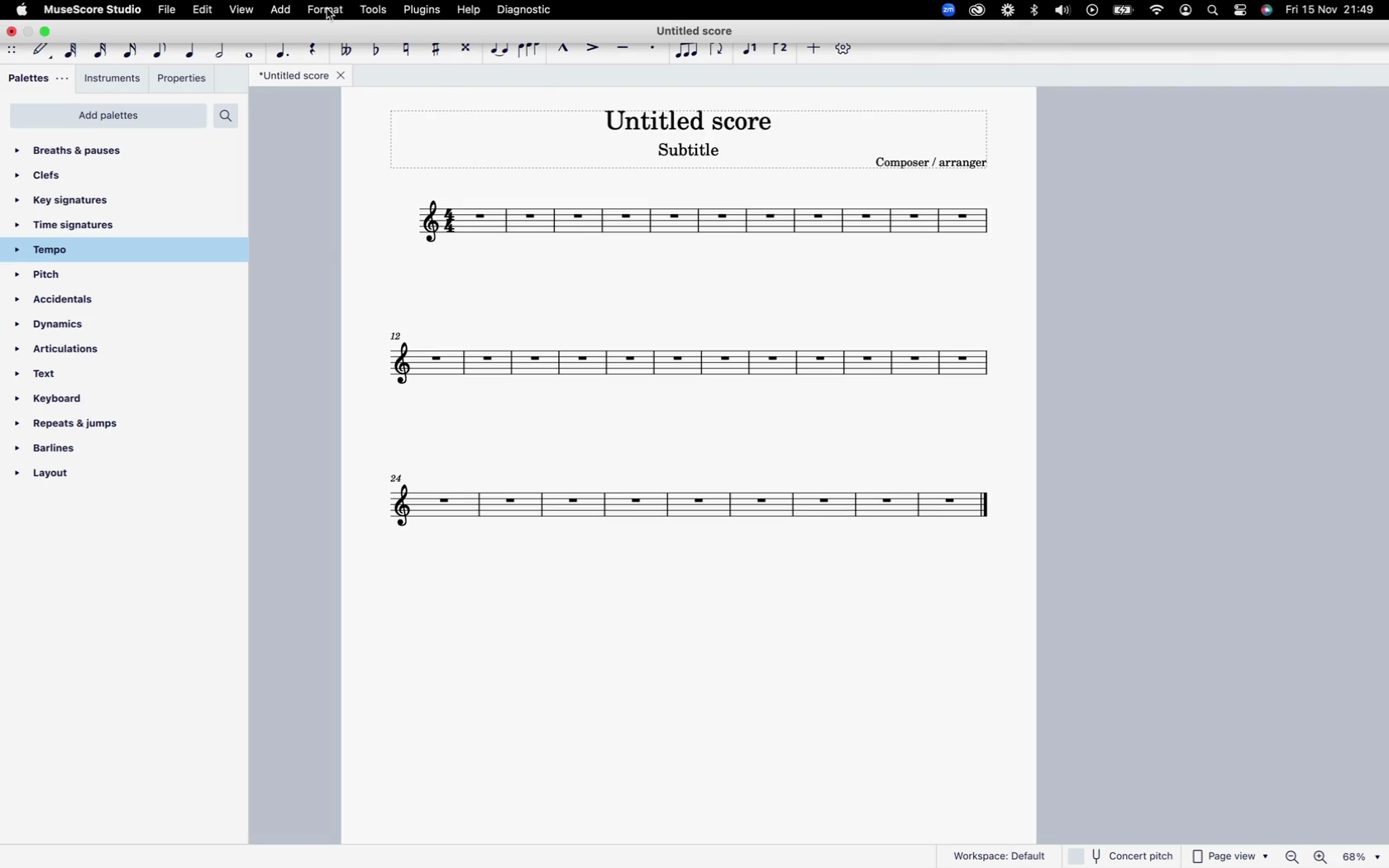 The height and width of the screenshot is (868, 1389). Describe the element at coordinates (718, 48) in the screenshot. I see `flip direction` at that location.